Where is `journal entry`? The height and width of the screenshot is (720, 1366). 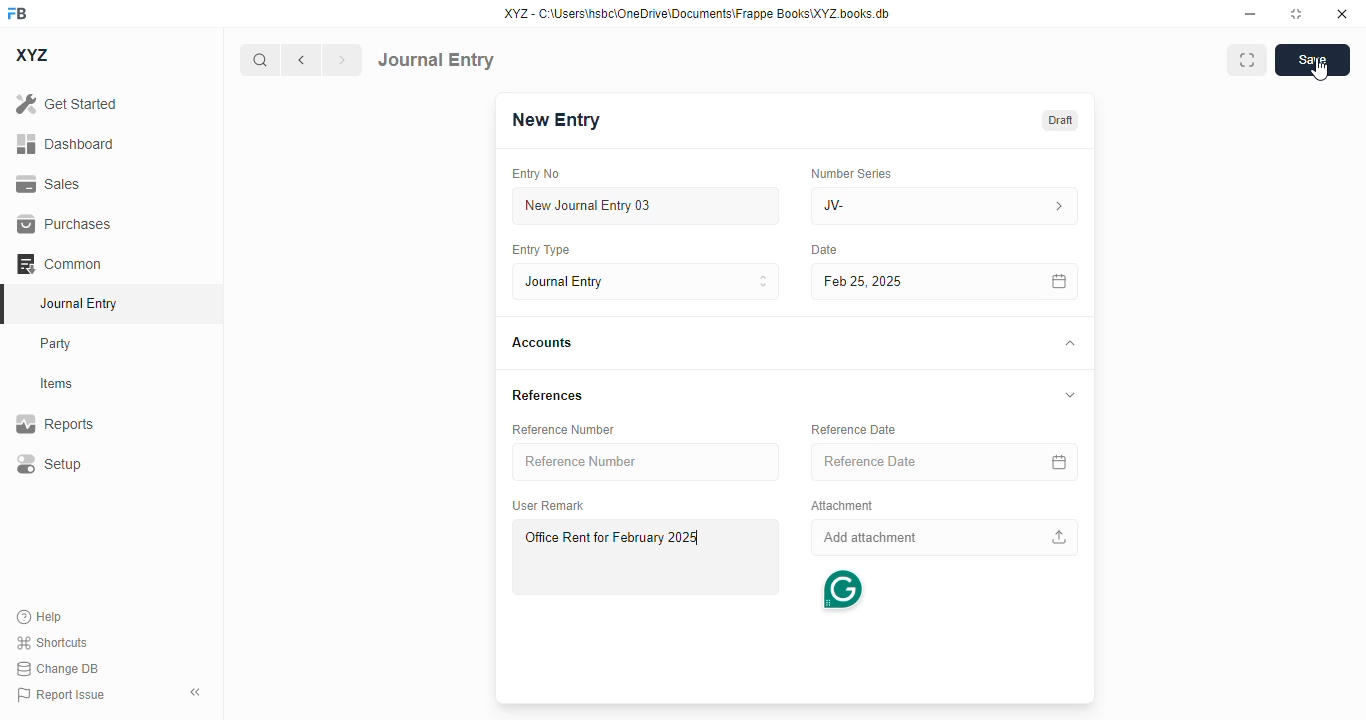 journal entry is located at coordinates (77, 303).